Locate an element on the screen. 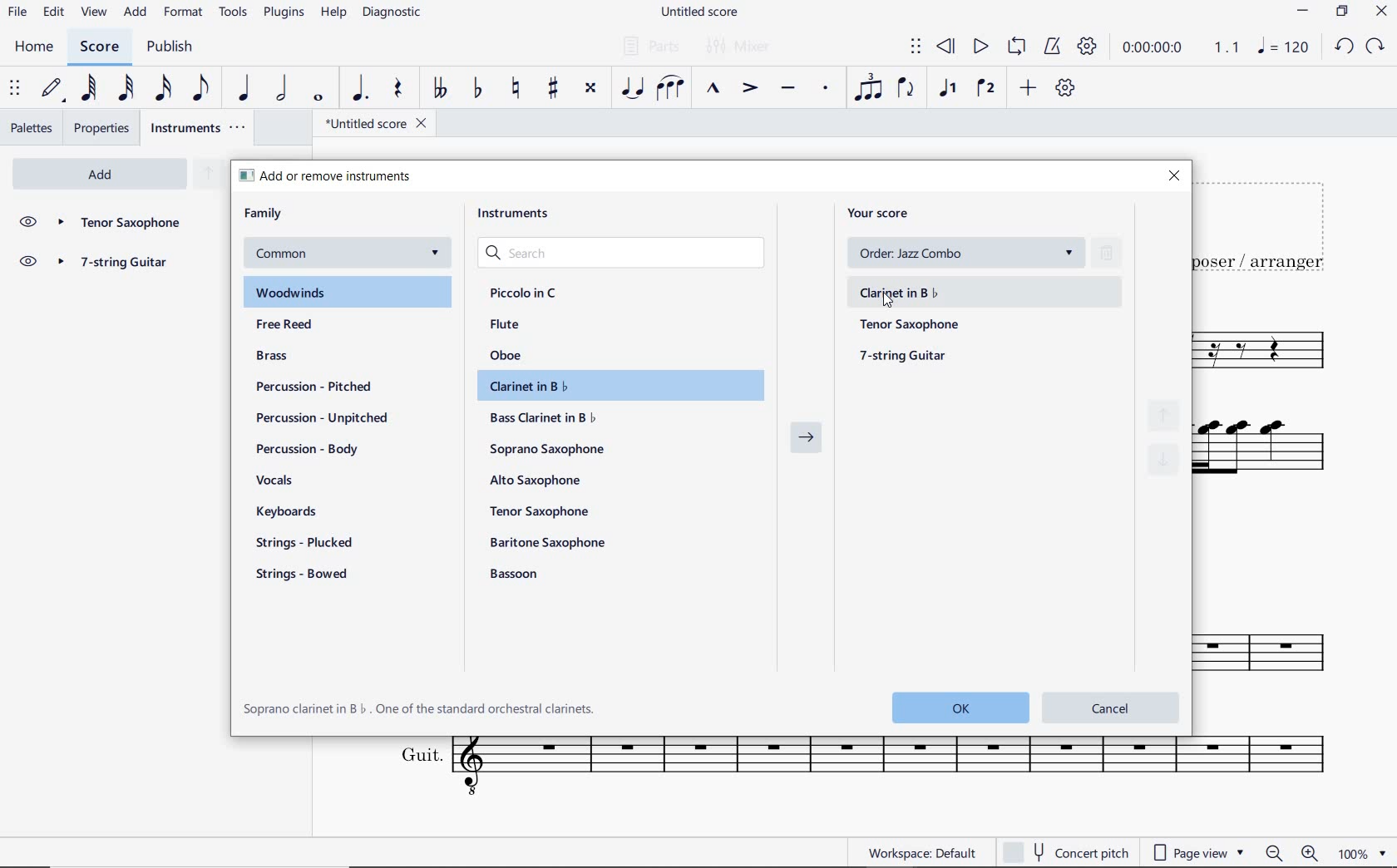 This screenshot has height=868, width=1397. woodwinds is located at coordinates (349, 293).